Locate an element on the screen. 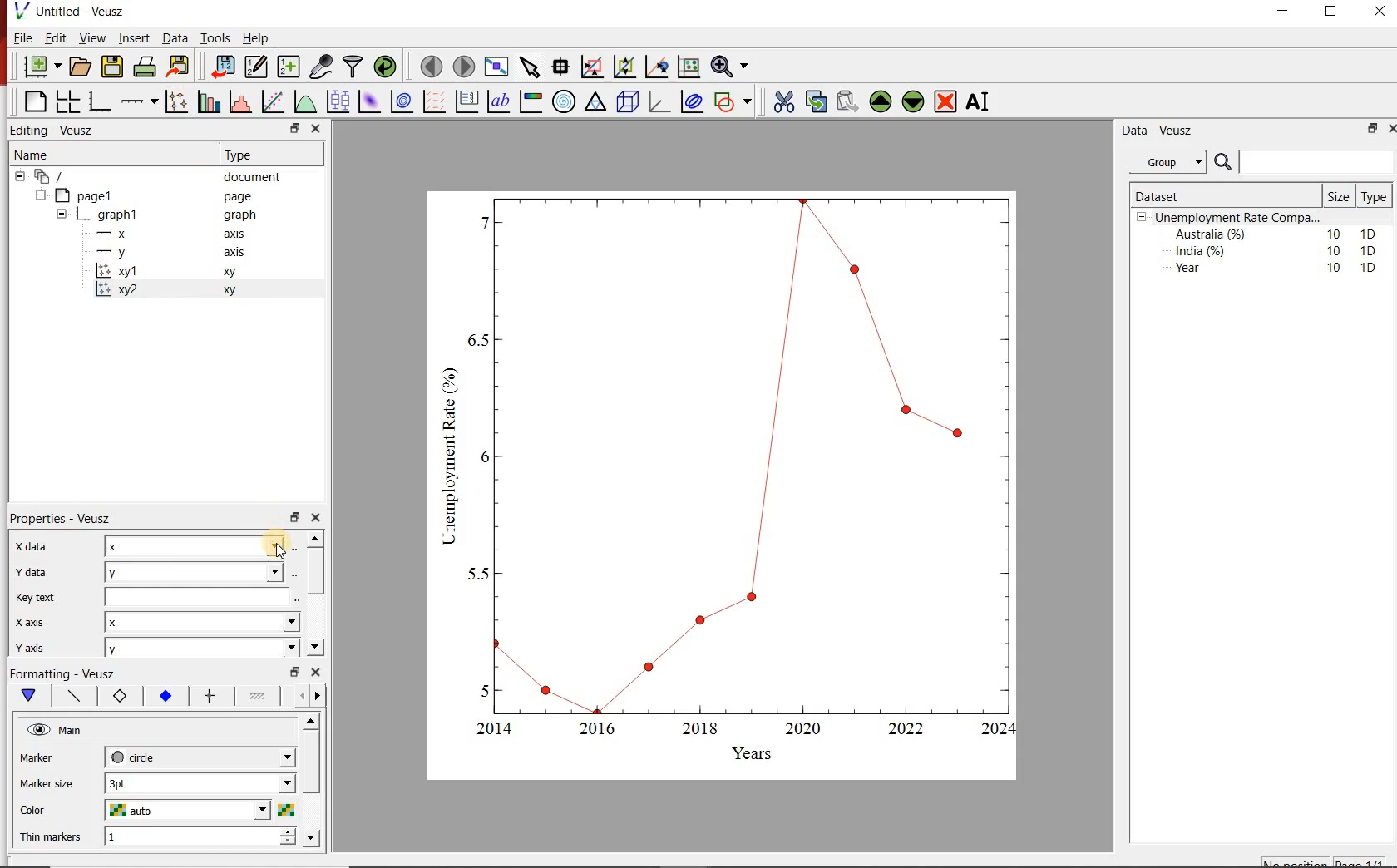 Image resolution: width=1397 pixels, height=868 pixels. move right is located at coordinates (317, 696).